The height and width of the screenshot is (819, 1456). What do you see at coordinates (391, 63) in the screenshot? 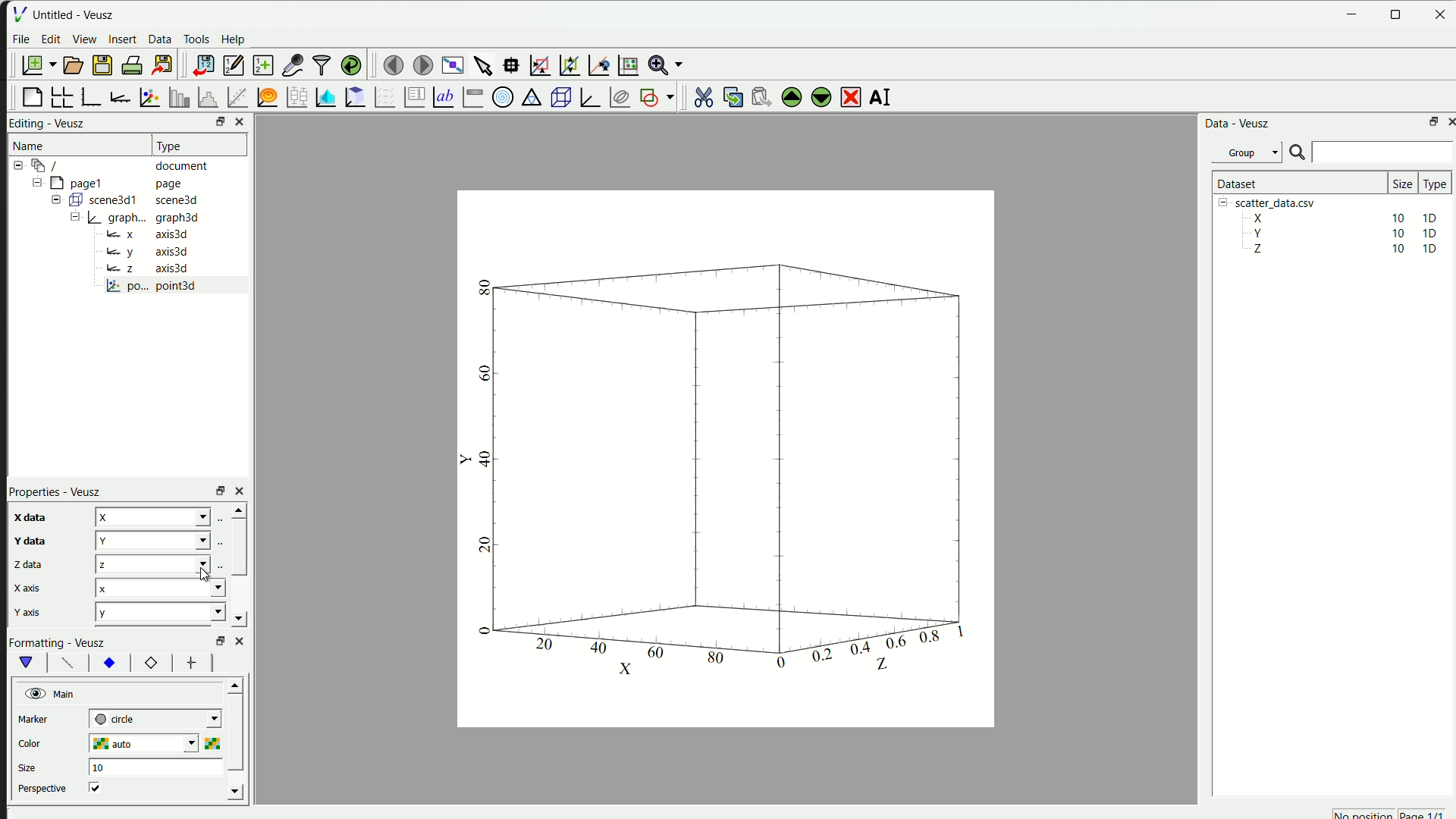
I see `move to previous page` at bounding box center [391, 63].